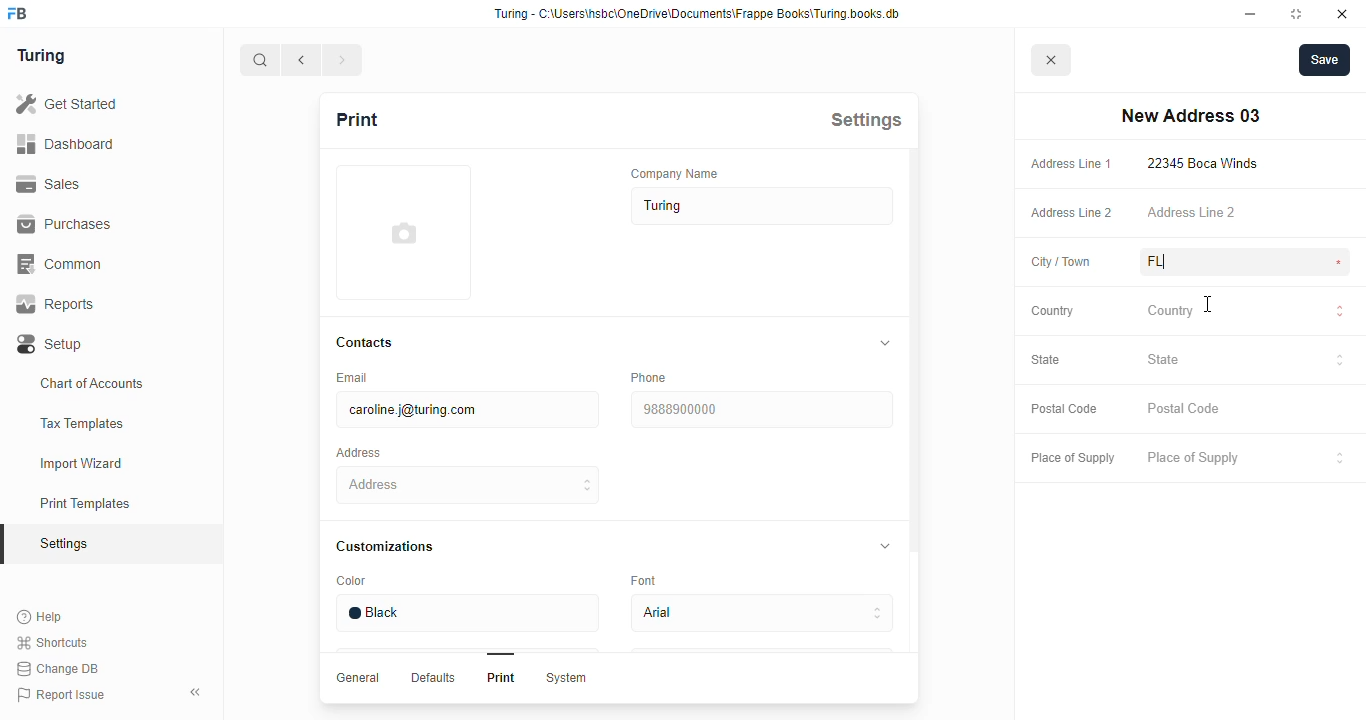  What do you see at coordinates (66, 545) in the screenshot?
I see `settings` at bounding box center [66, 545].